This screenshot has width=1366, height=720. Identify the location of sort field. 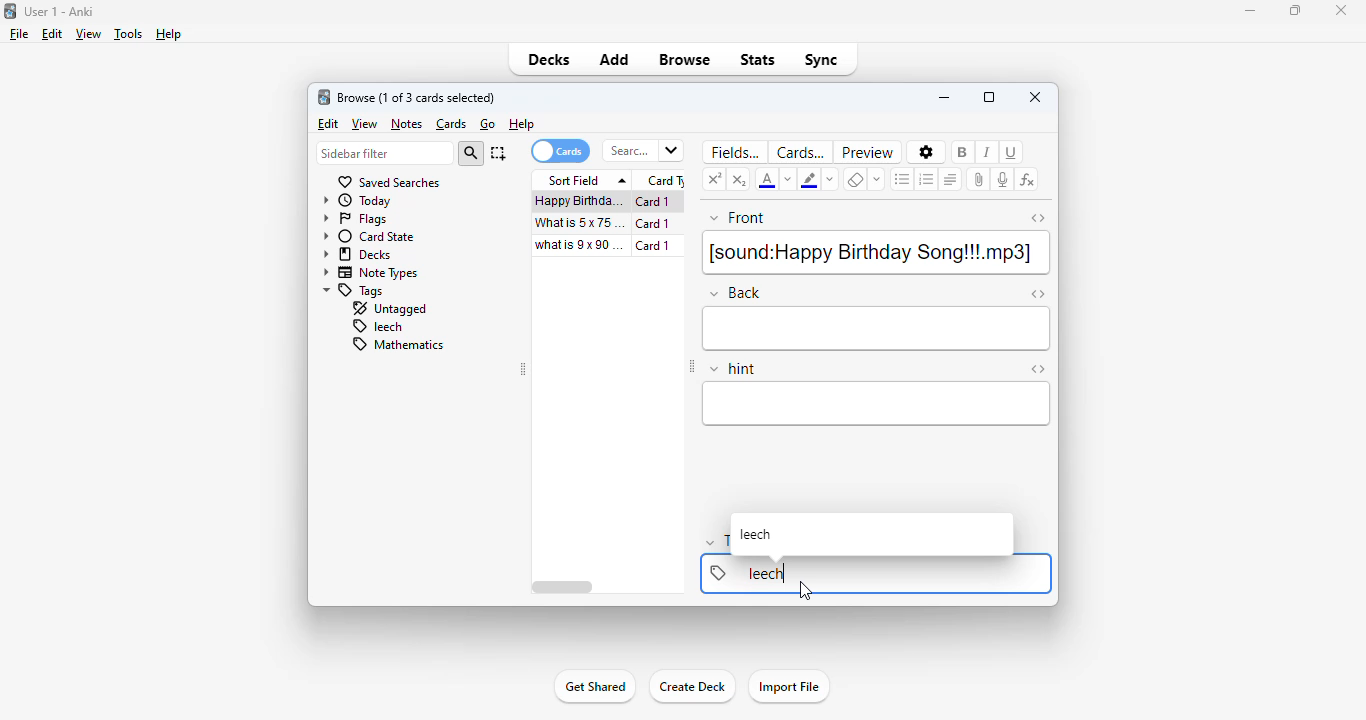
(583, 180).